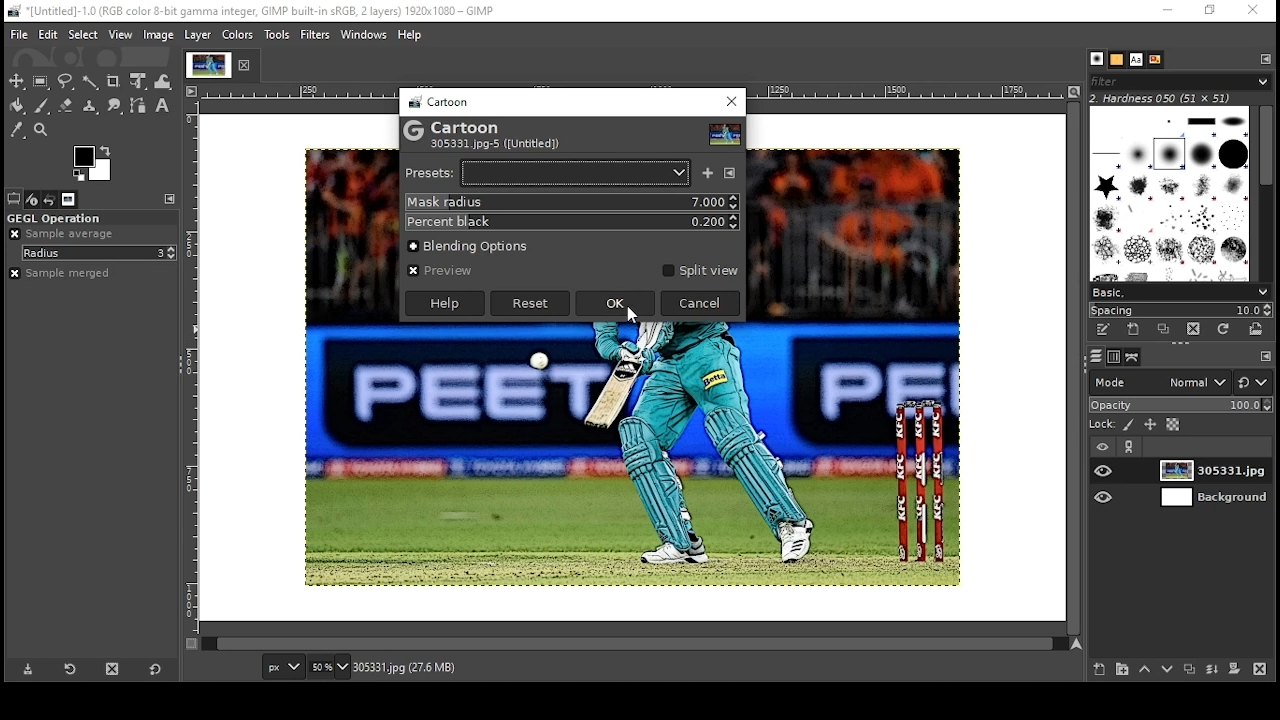 This screenshot has width=1280, height=720. I want to click on document history, so click(1156, 59).